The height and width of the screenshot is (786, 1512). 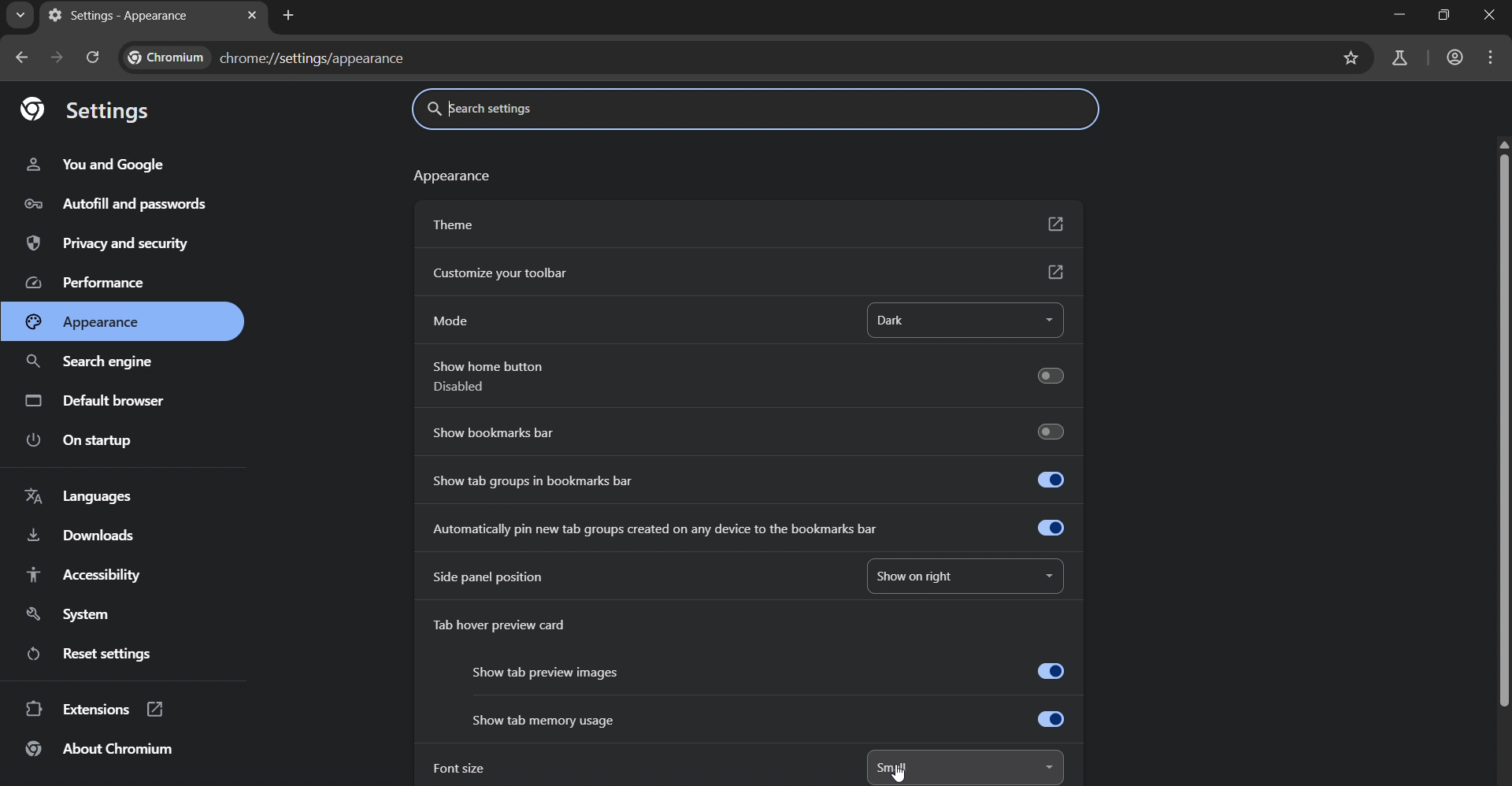 I want to click on accessibility, so click(x=100, y=578).